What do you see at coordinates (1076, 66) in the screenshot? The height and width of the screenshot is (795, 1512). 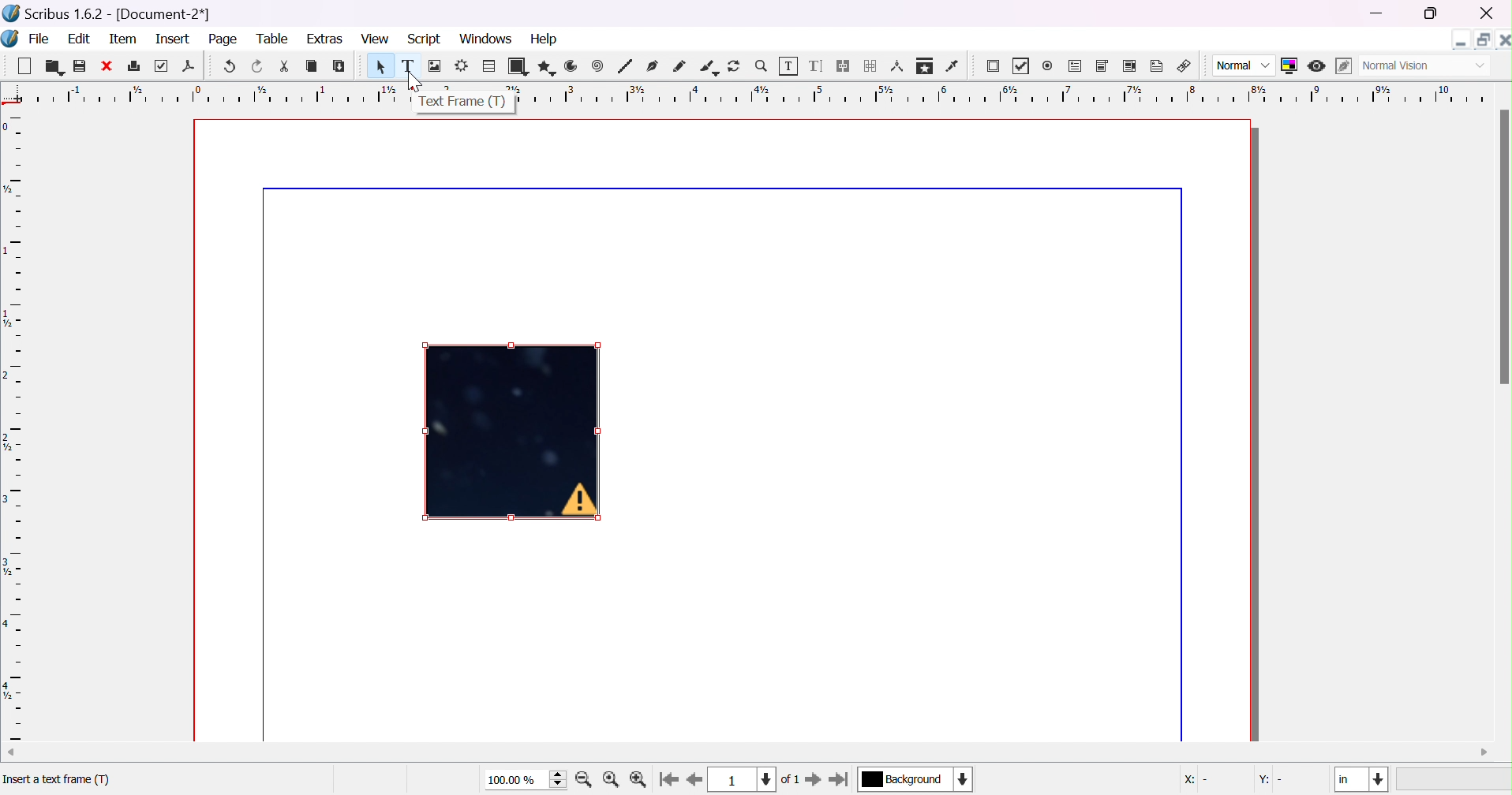 I see `PDF text field` at bounding box center [1076, 66].